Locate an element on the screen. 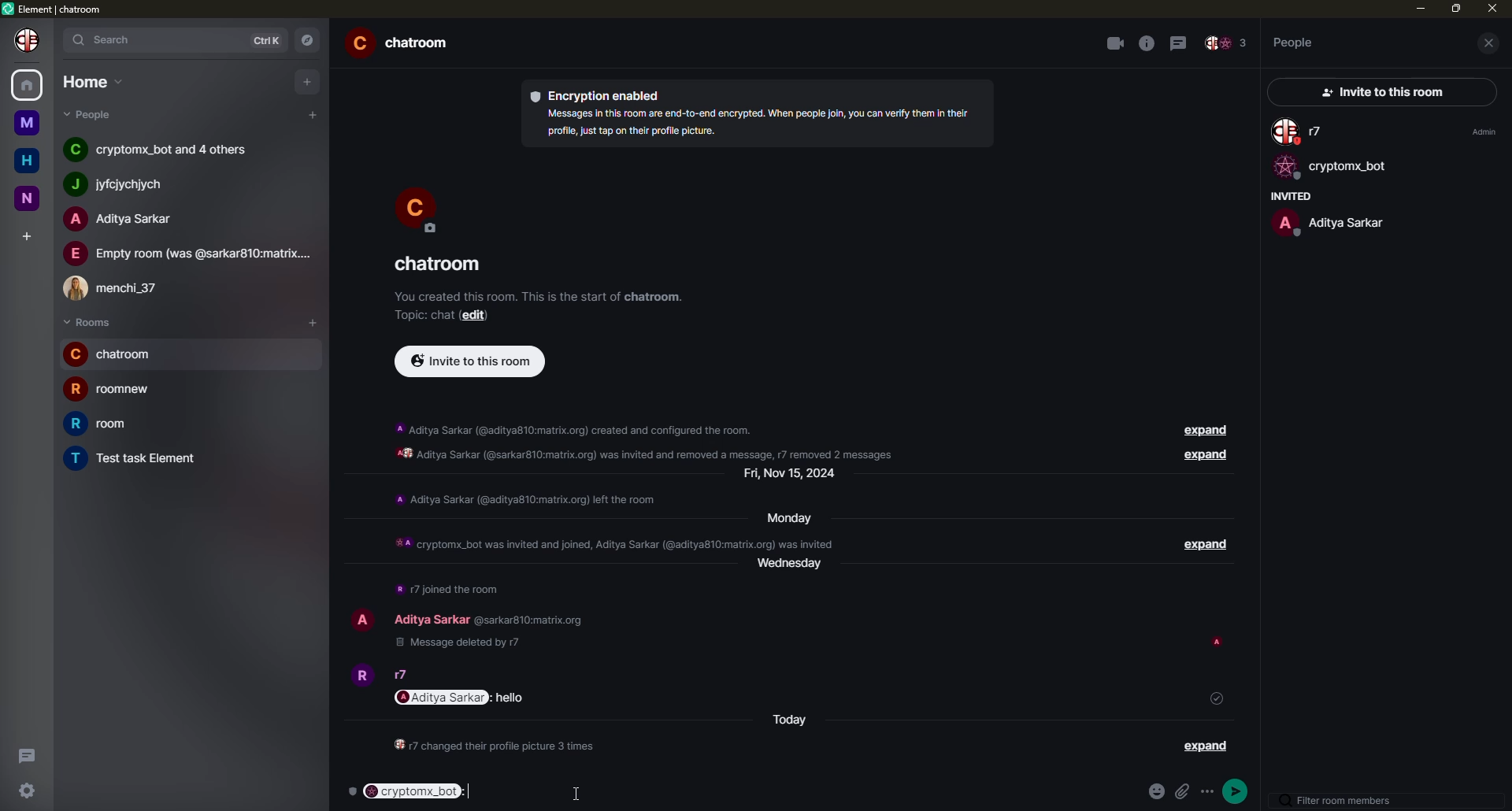 This screenshot has height=811, width=1512. home is located at coordinates (28, 83).